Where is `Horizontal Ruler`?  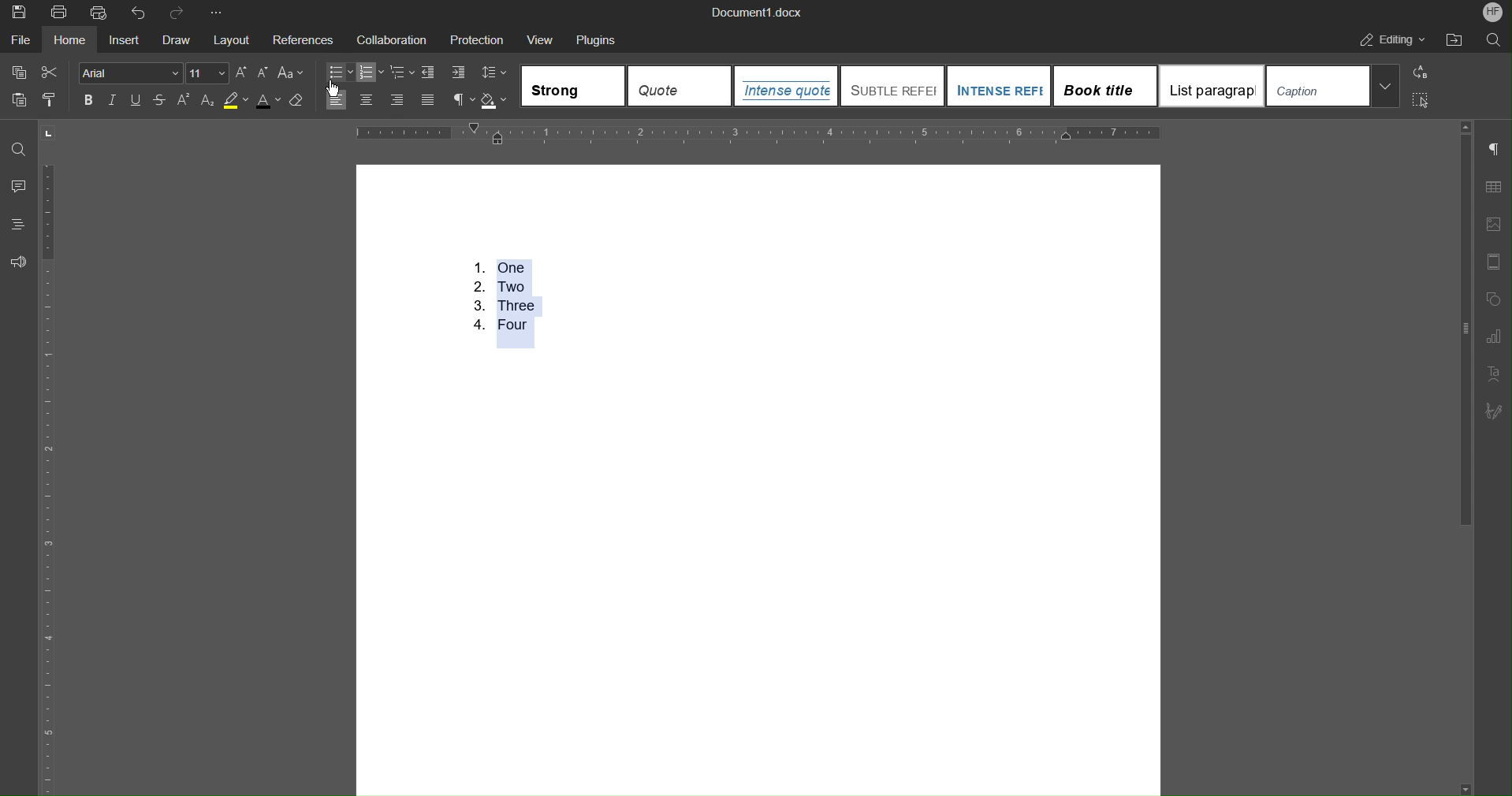
Horizontal Ruler is located at coordinates (759, 134).